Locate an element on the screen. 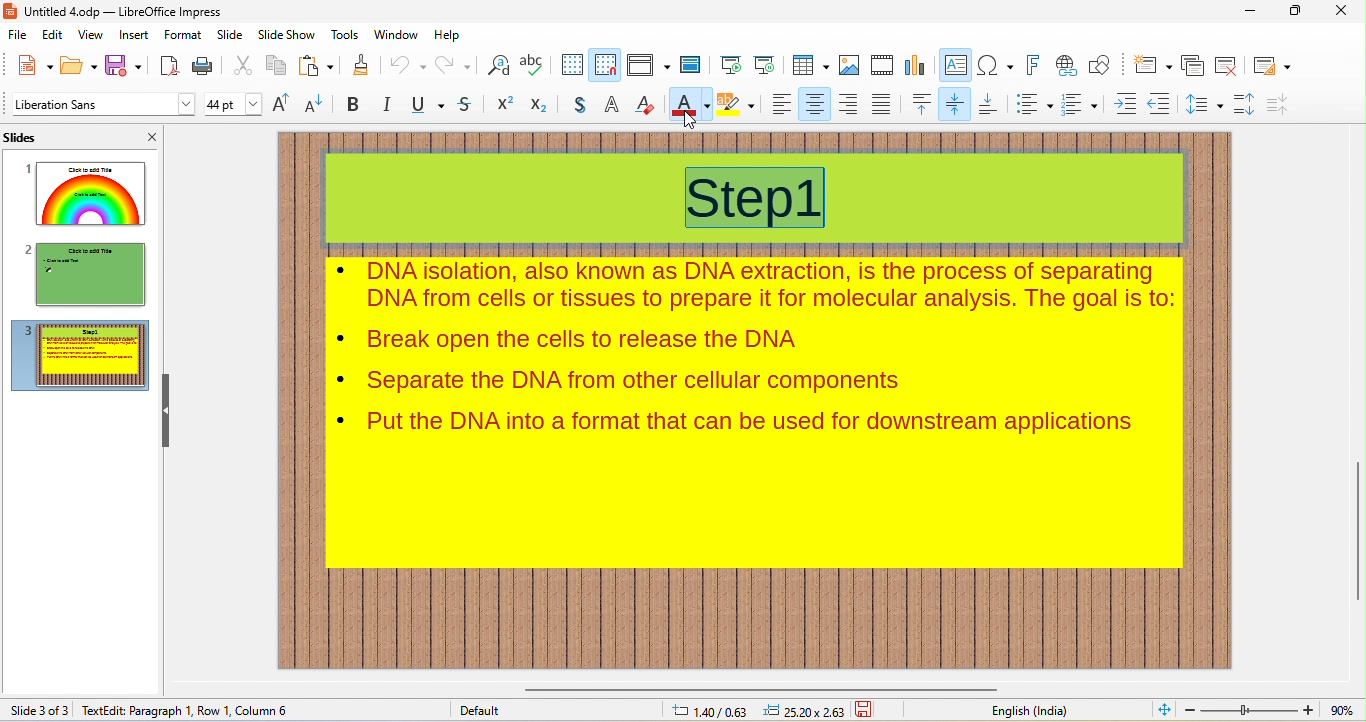 The image size is (1366, 722). start from current is located at coordinates (764, 63).